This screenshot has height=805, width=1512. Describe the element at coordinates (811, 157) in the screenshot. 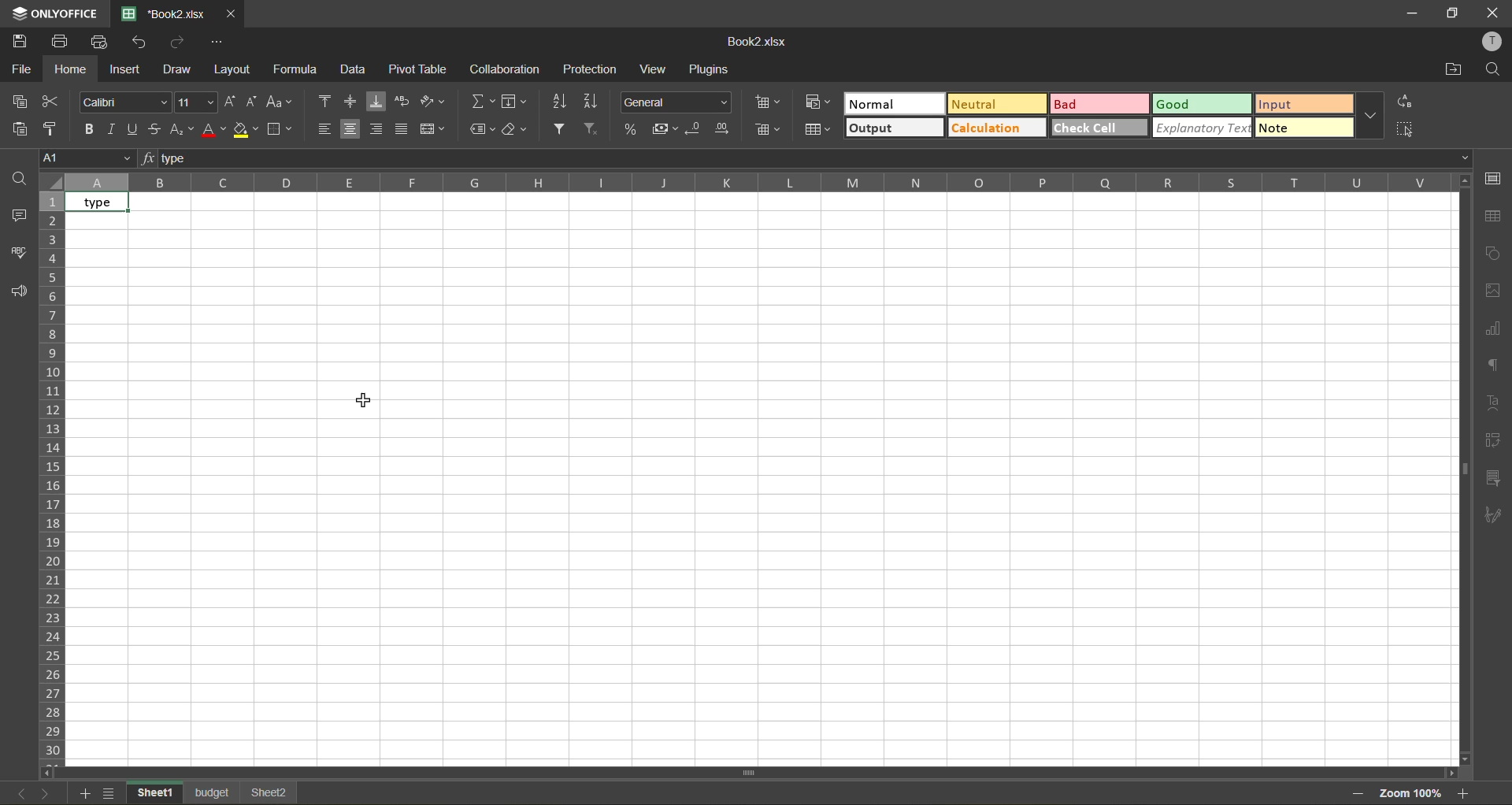

I see `formula bar` at that location.